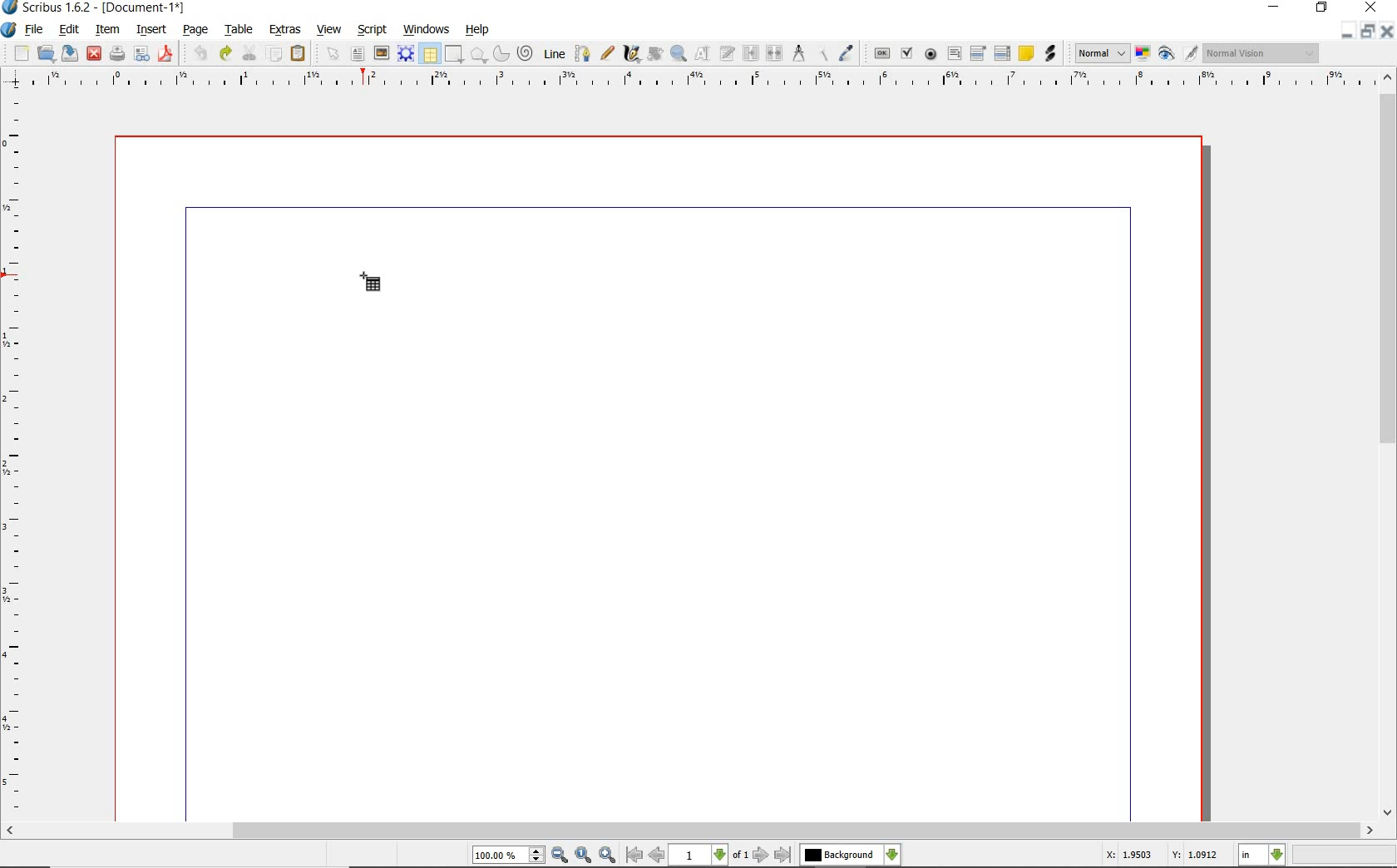 This screenshot has width=1397, height=868. I want to click on edit in preview mode, so click(1190, 54).